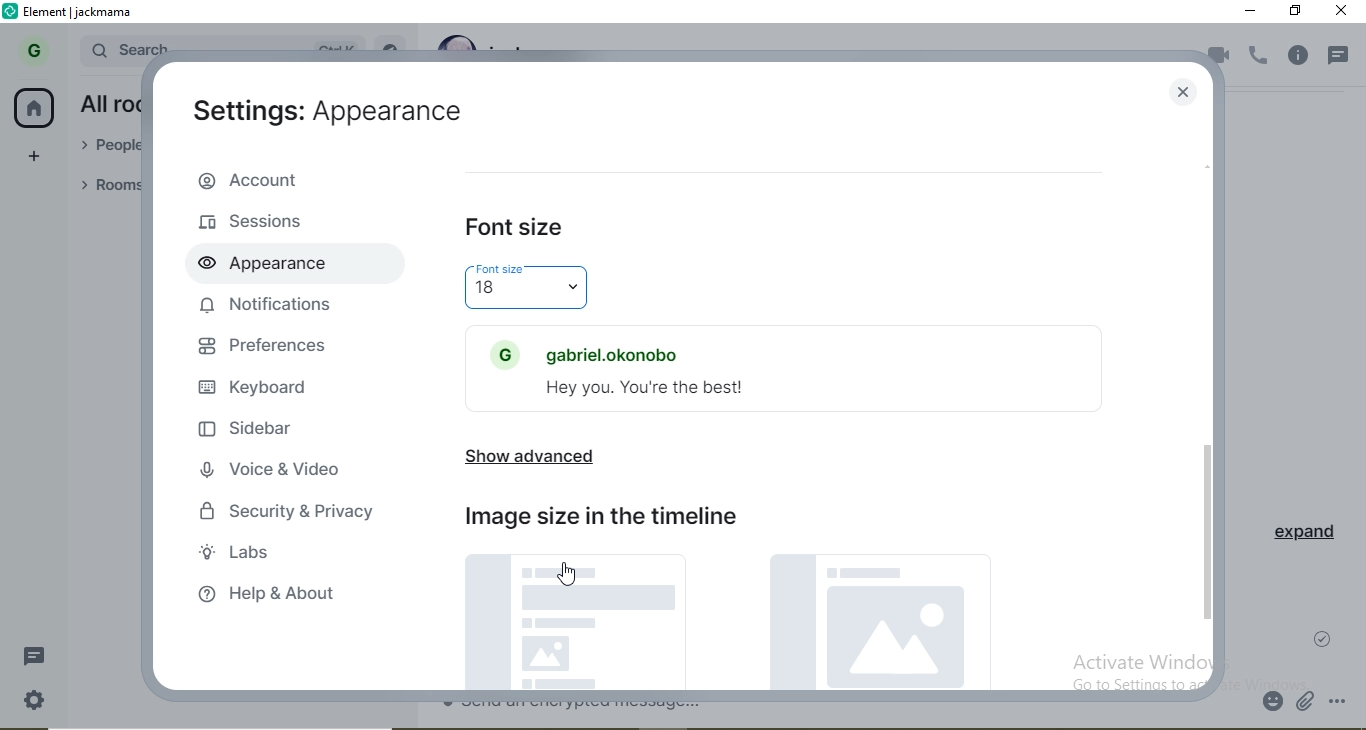 The height and width of the screenshot is (730, 1366). Describe the element at coordinates (646, 388) in the screenshot. I see `Hey you. You're the best!` at that location.